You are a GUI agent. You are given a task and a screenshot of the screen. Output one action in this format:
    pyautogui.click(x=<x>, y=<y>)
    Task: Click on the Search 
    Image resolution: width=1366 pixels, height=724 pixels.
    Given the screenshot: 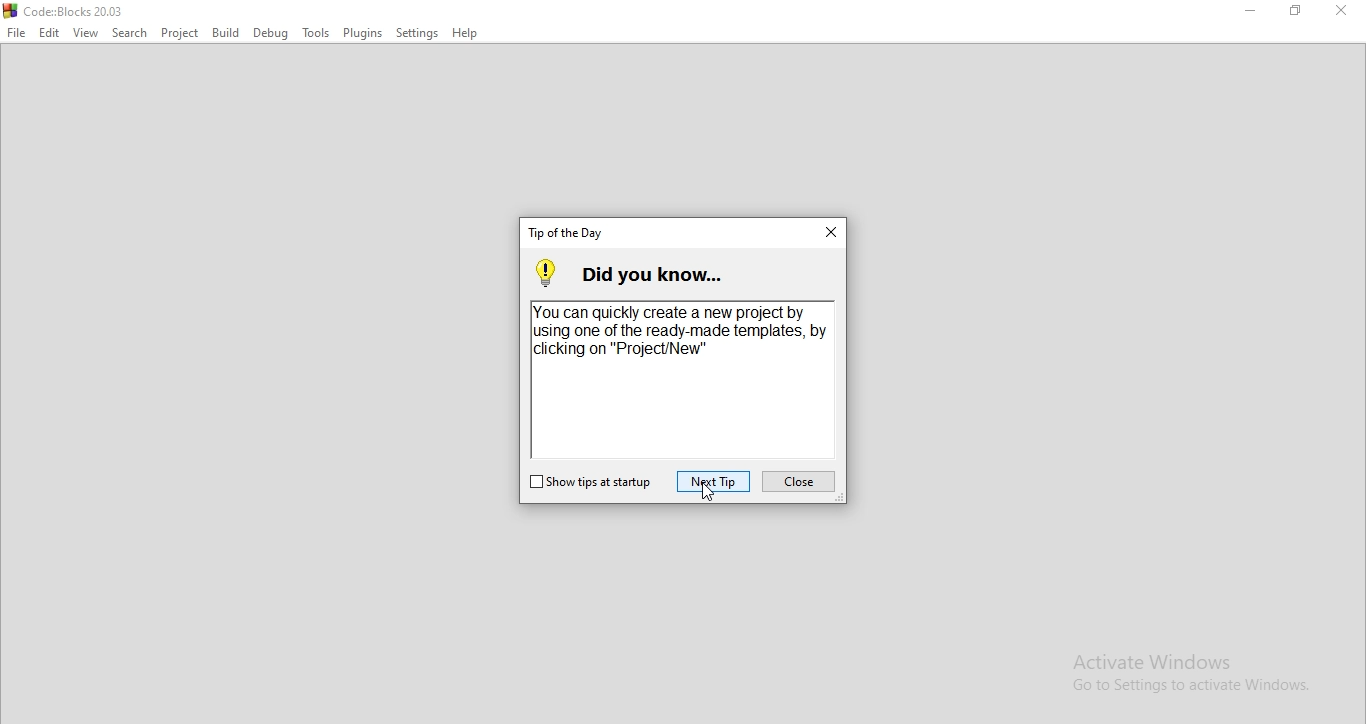 What is the action you would take?
    pyautogui.click(x=129, y=32)
    